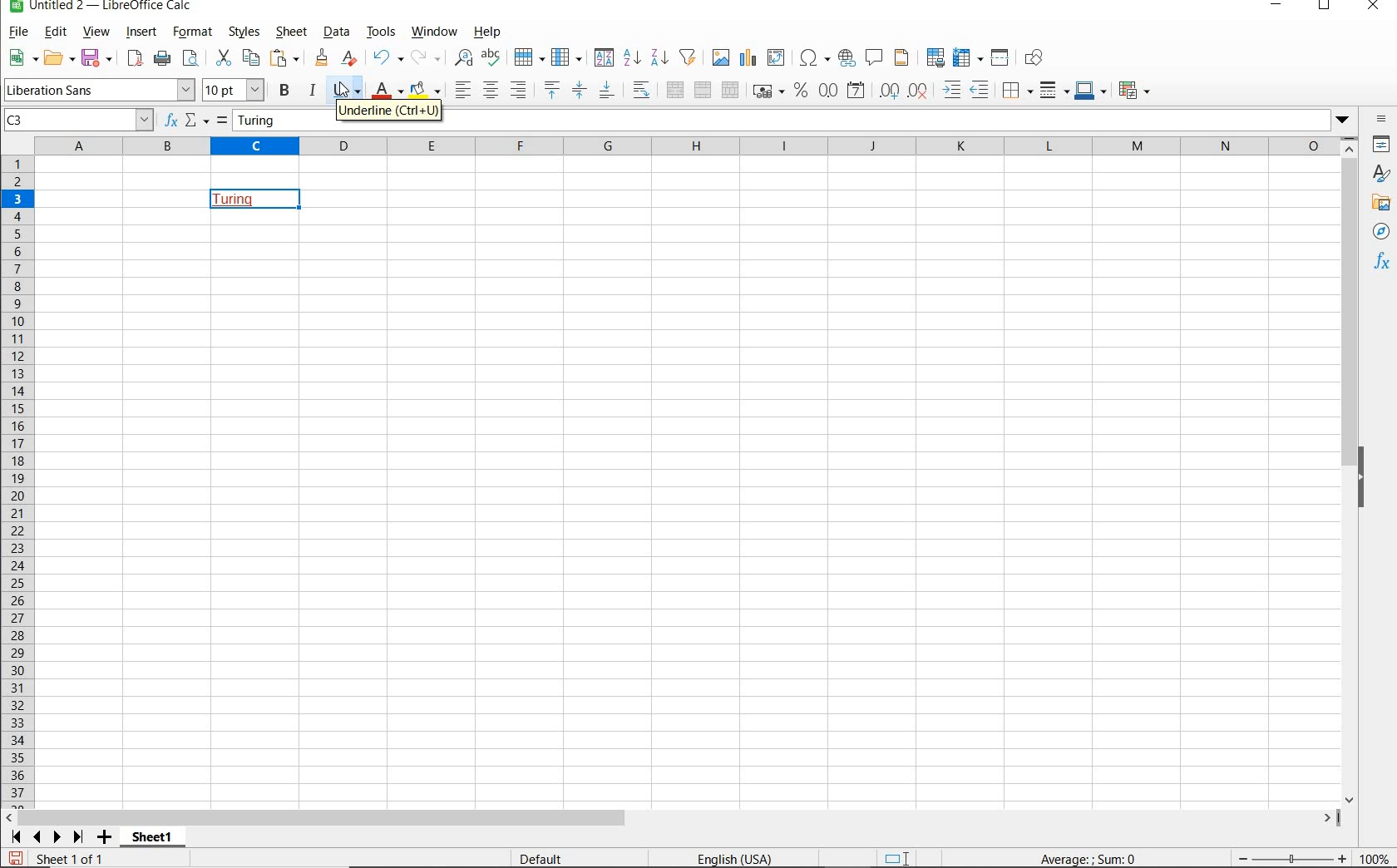 This screenshot has height=868, width=1397. I want to click on SPLIT WINDOW, so click(1000, 60).